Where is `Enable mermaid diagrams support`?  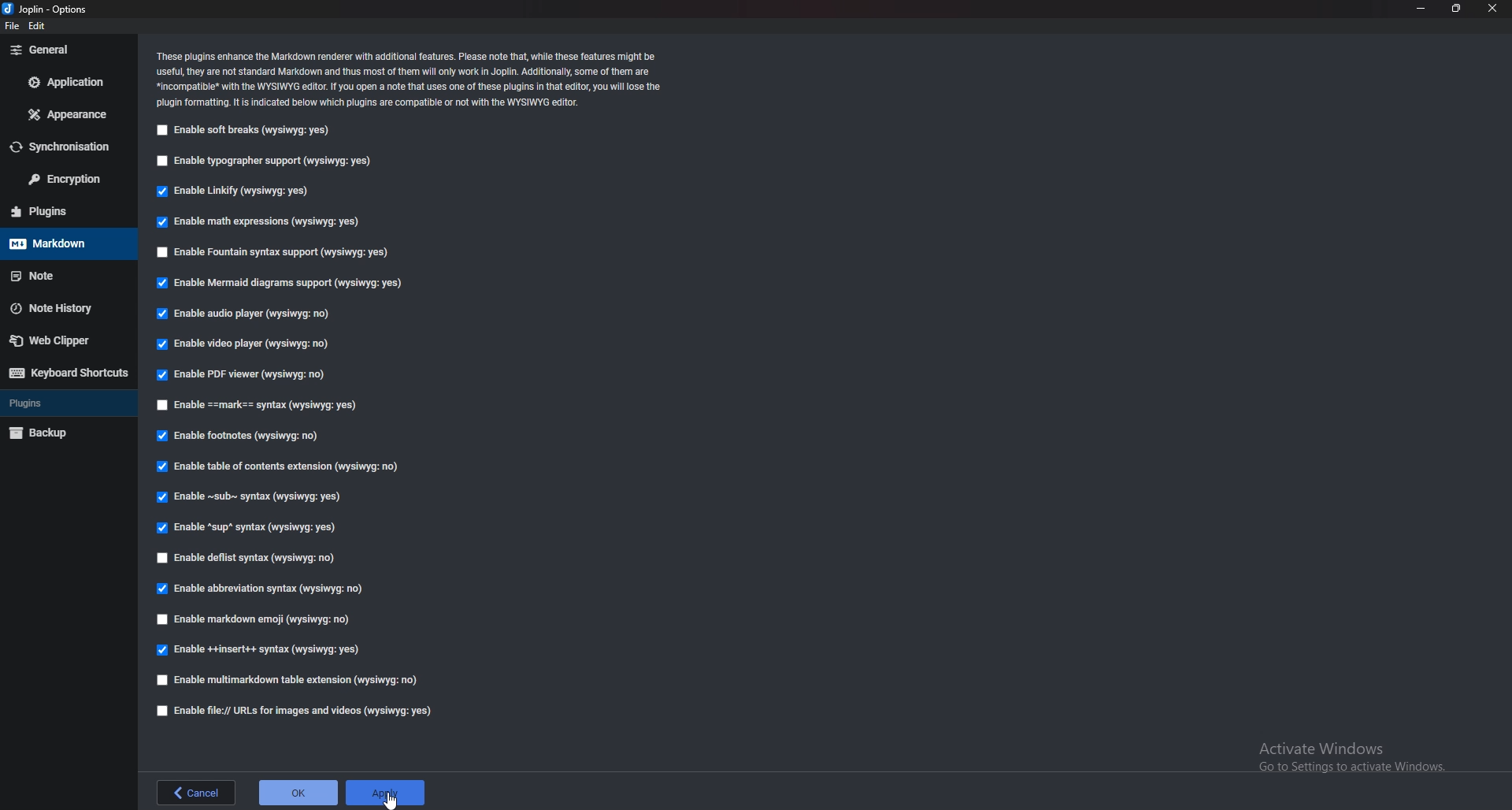
Enable mermaid diagrams support is located at coordinates (287, 284).